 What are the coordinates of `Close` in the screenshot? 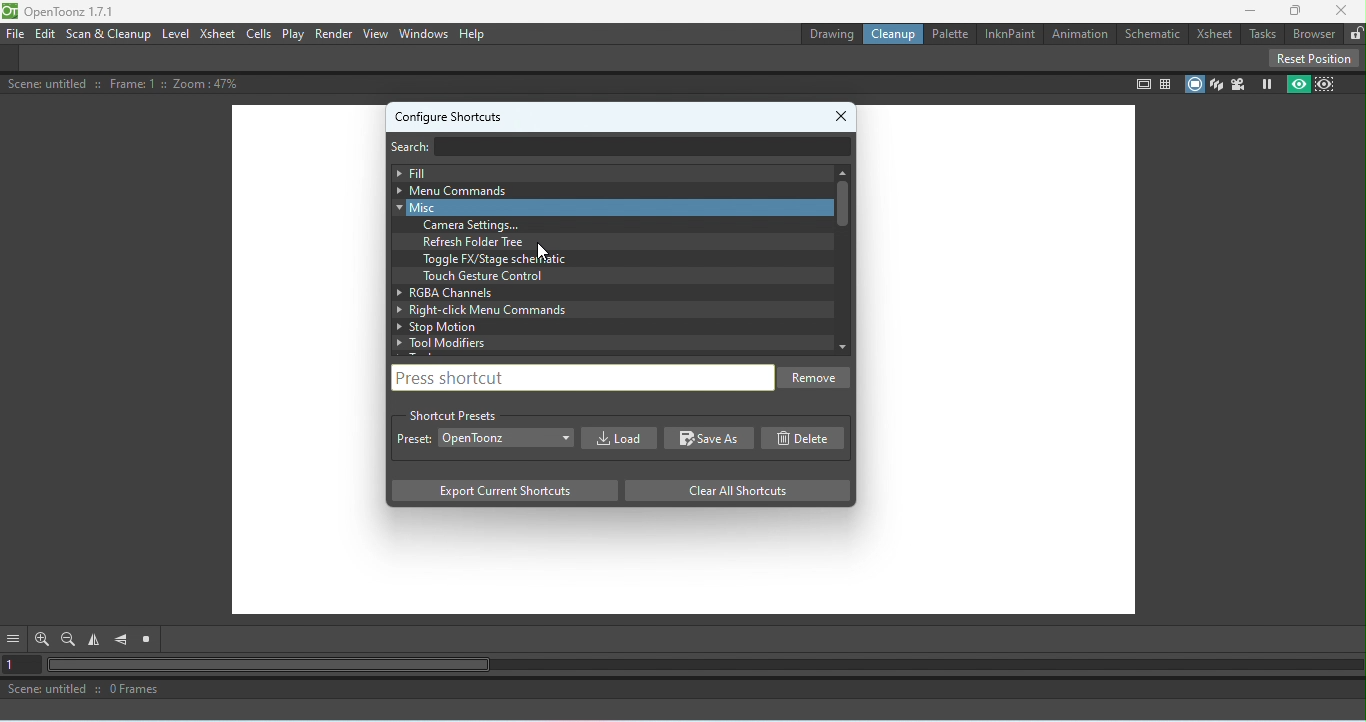 It's located at (1342, 10).